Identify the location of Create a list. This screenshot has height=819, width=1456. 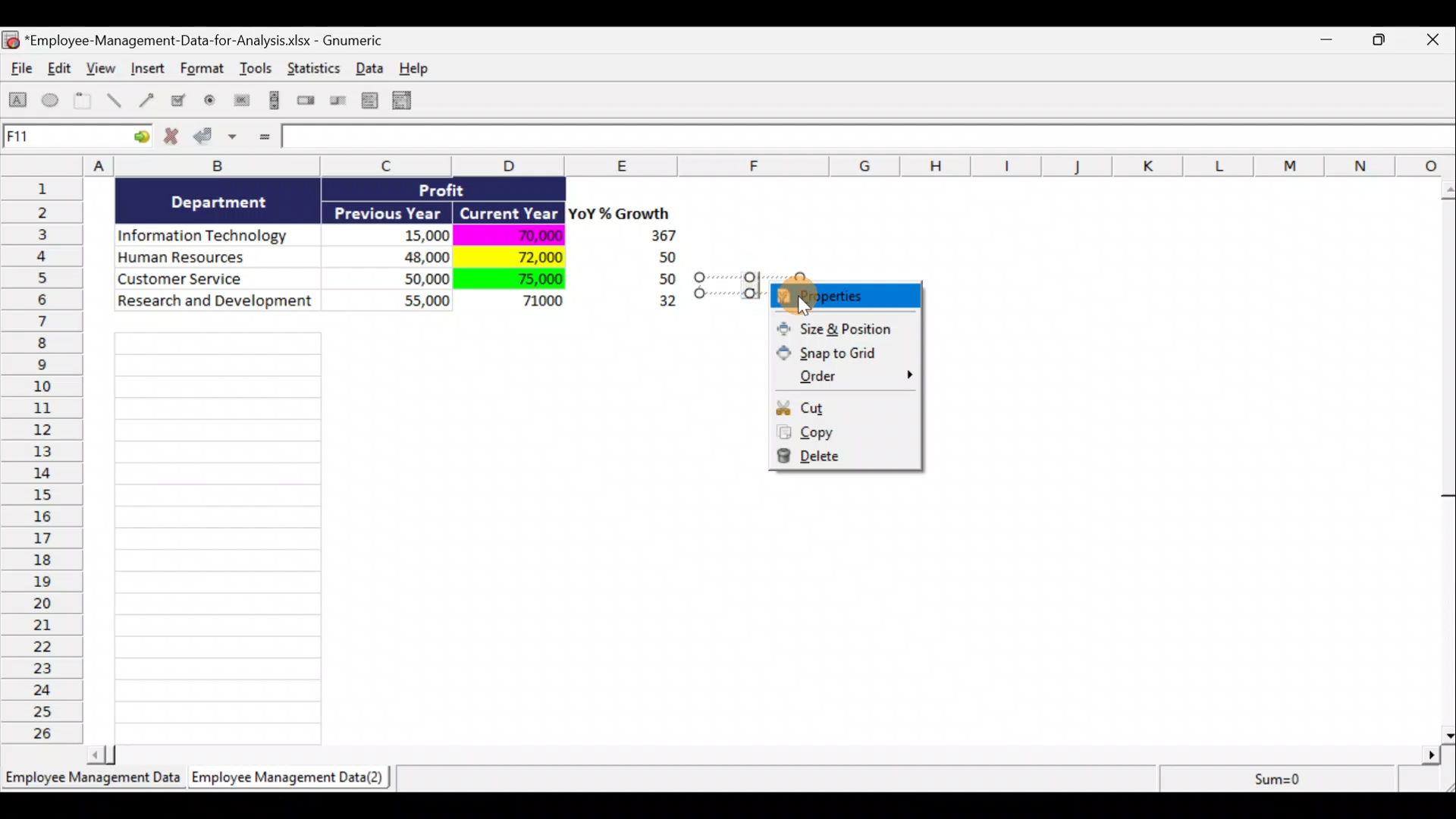
(366, 100).